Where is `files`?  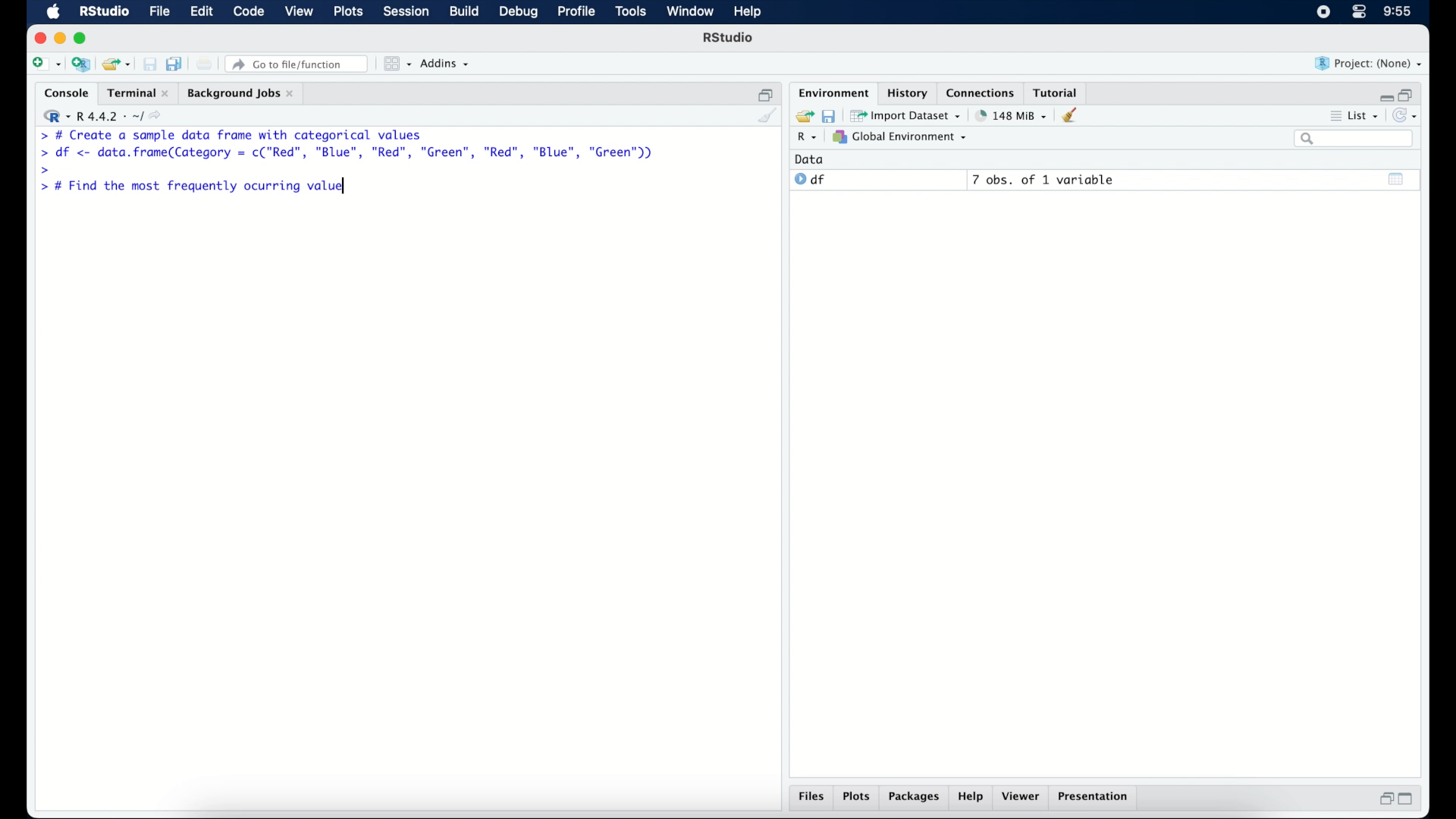
files is located at coordinates (810, 798).